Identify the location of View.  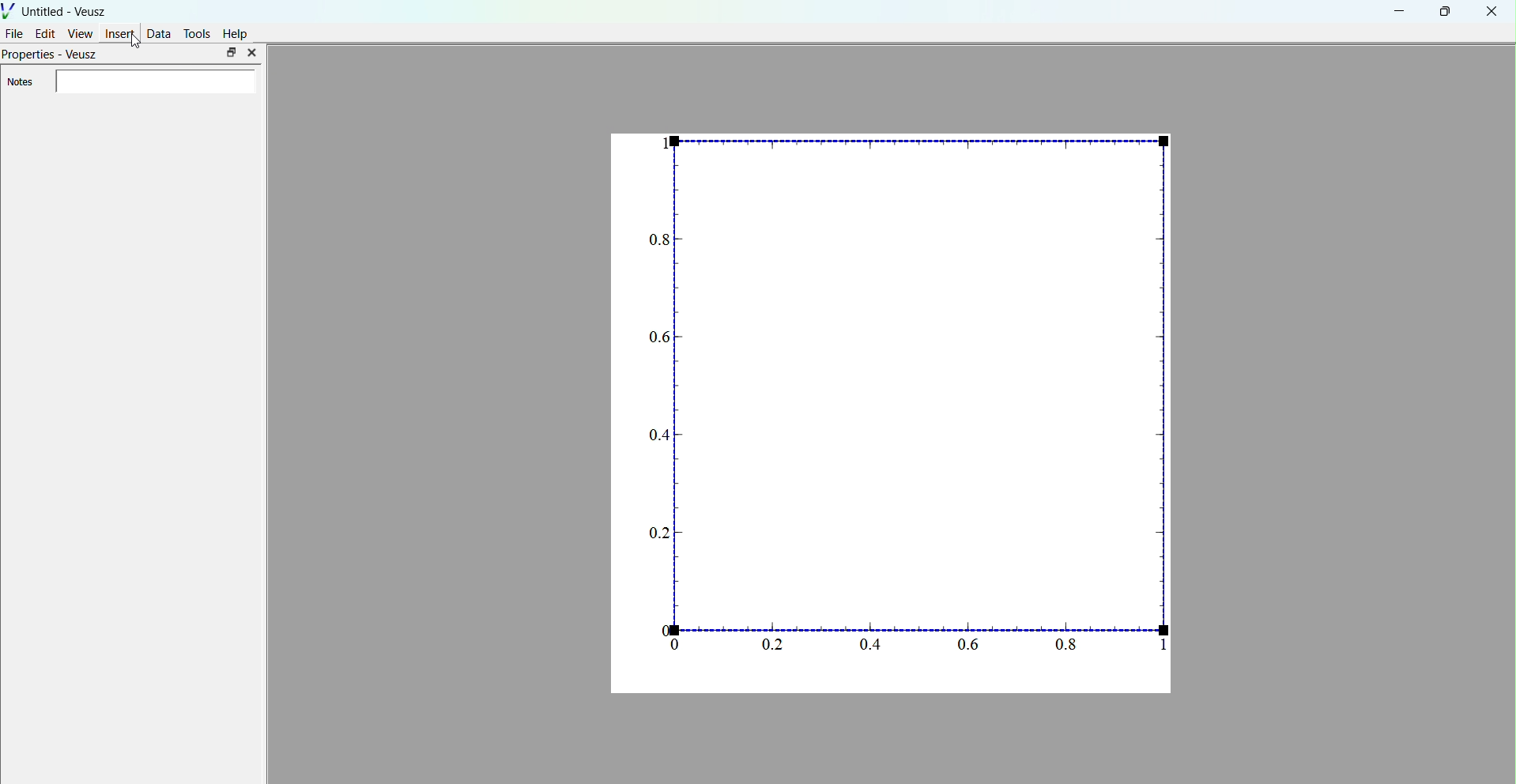
(80, 33).